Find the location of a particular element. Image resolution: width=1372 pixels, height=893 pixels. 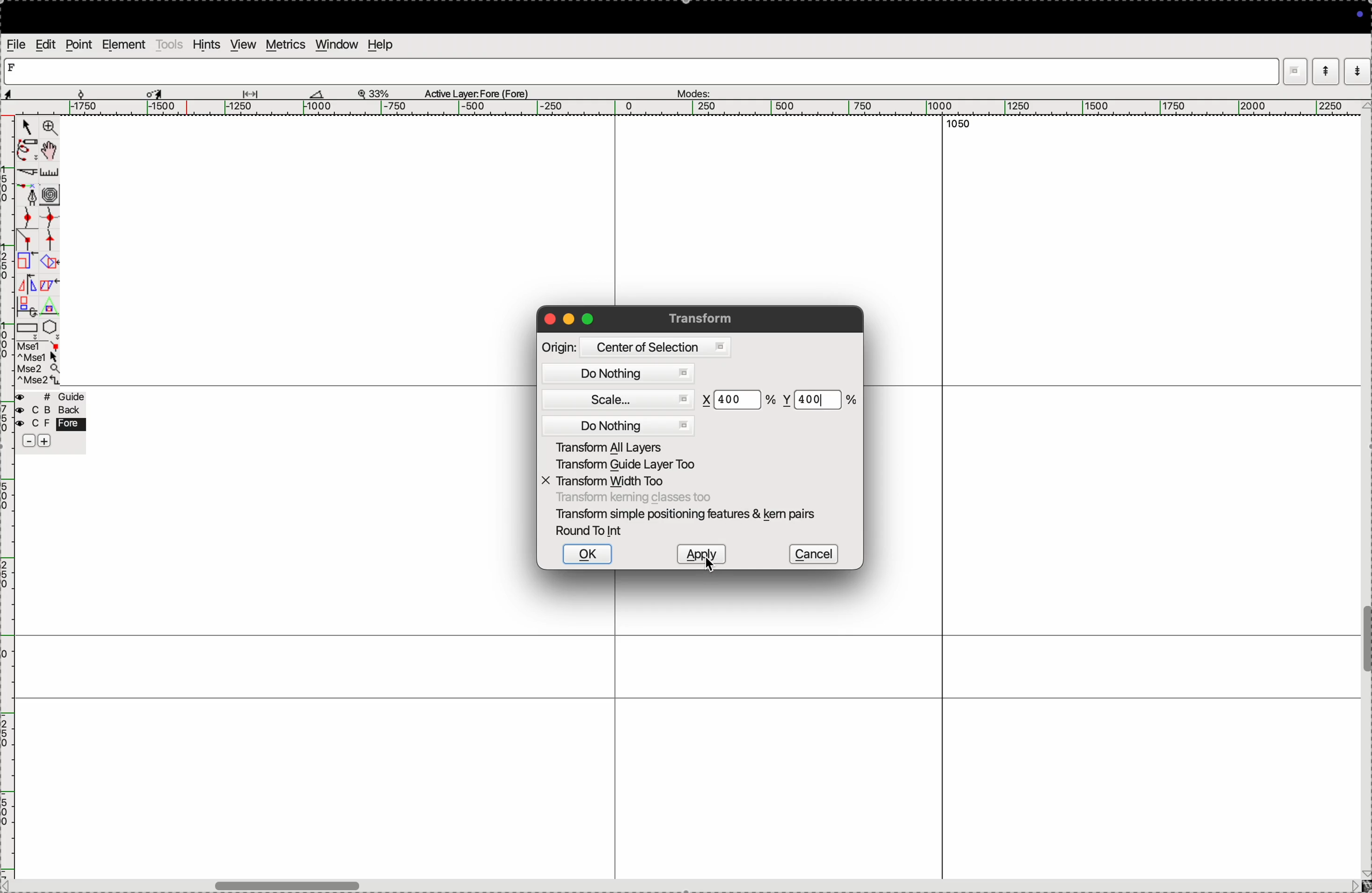

modes is located at coordinates (692, 91).